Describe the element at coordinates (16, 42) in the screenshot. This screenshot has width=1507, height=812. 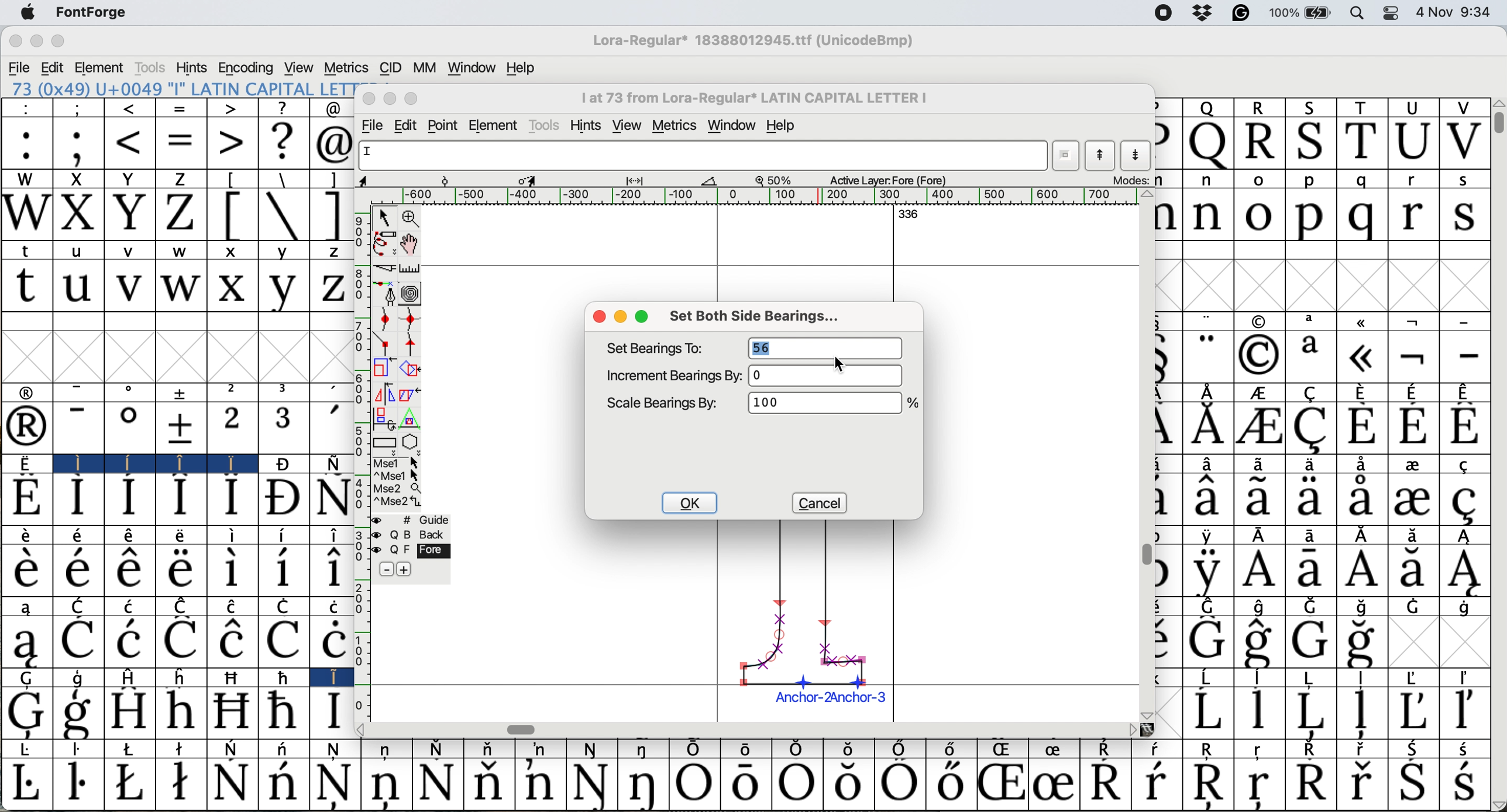
I see `close` at that location.